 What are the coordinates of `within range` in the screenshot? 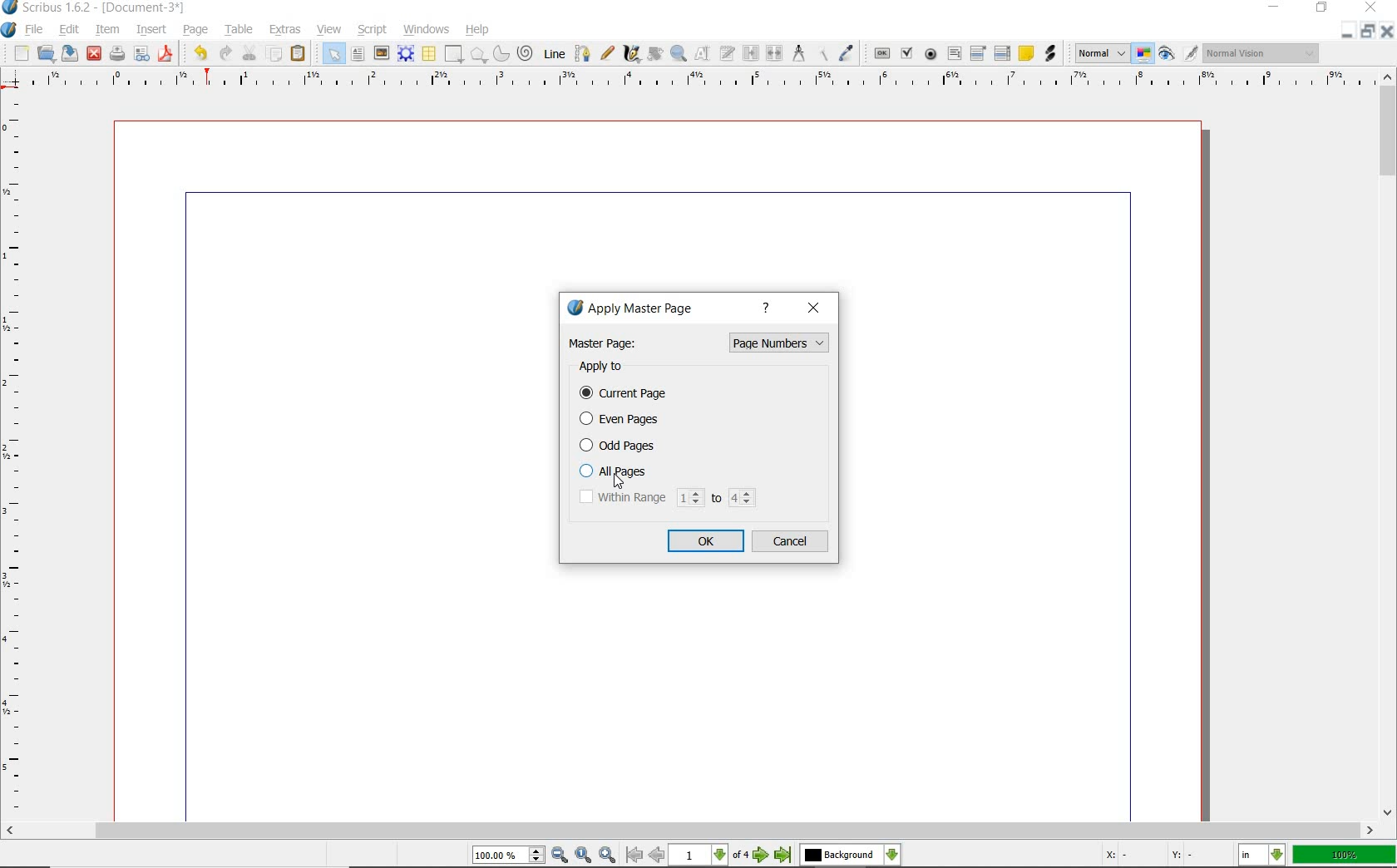 It's located at (666, 498).